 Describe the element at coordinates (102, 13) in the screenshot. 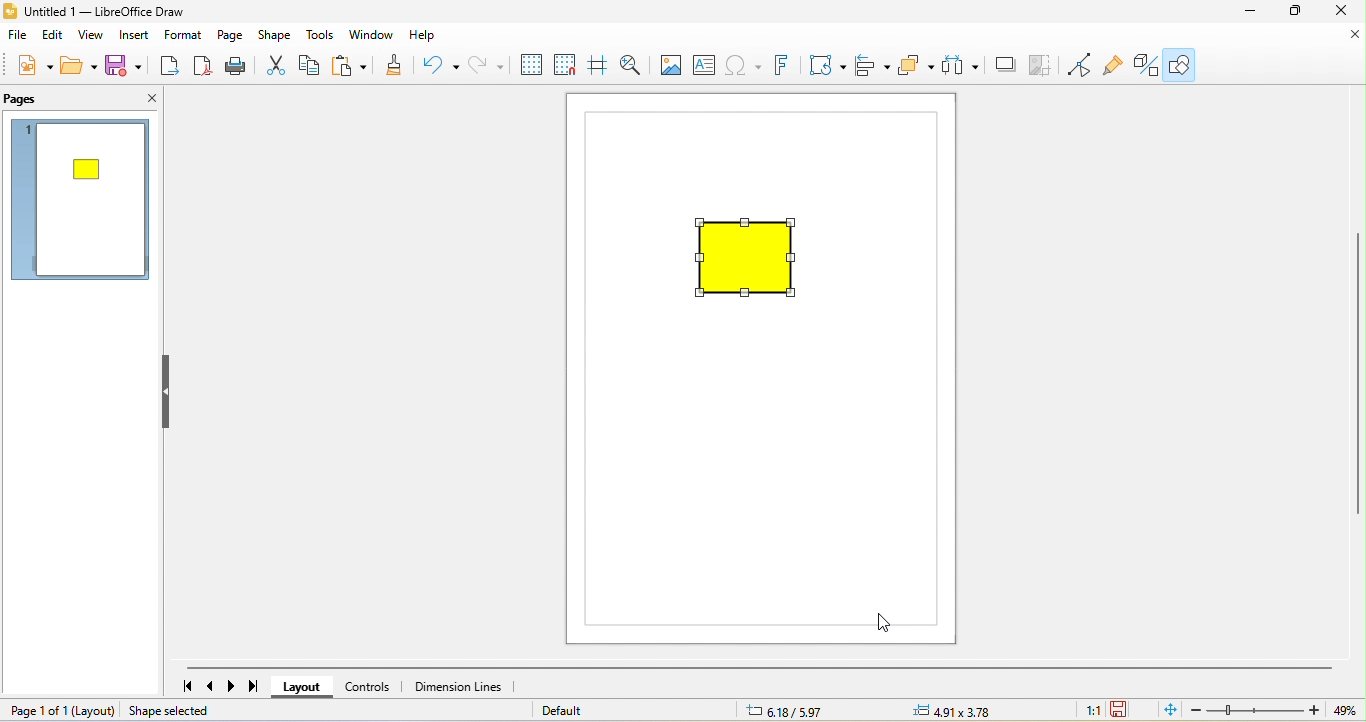

I see `untitled 1- libre office draw` at that location.